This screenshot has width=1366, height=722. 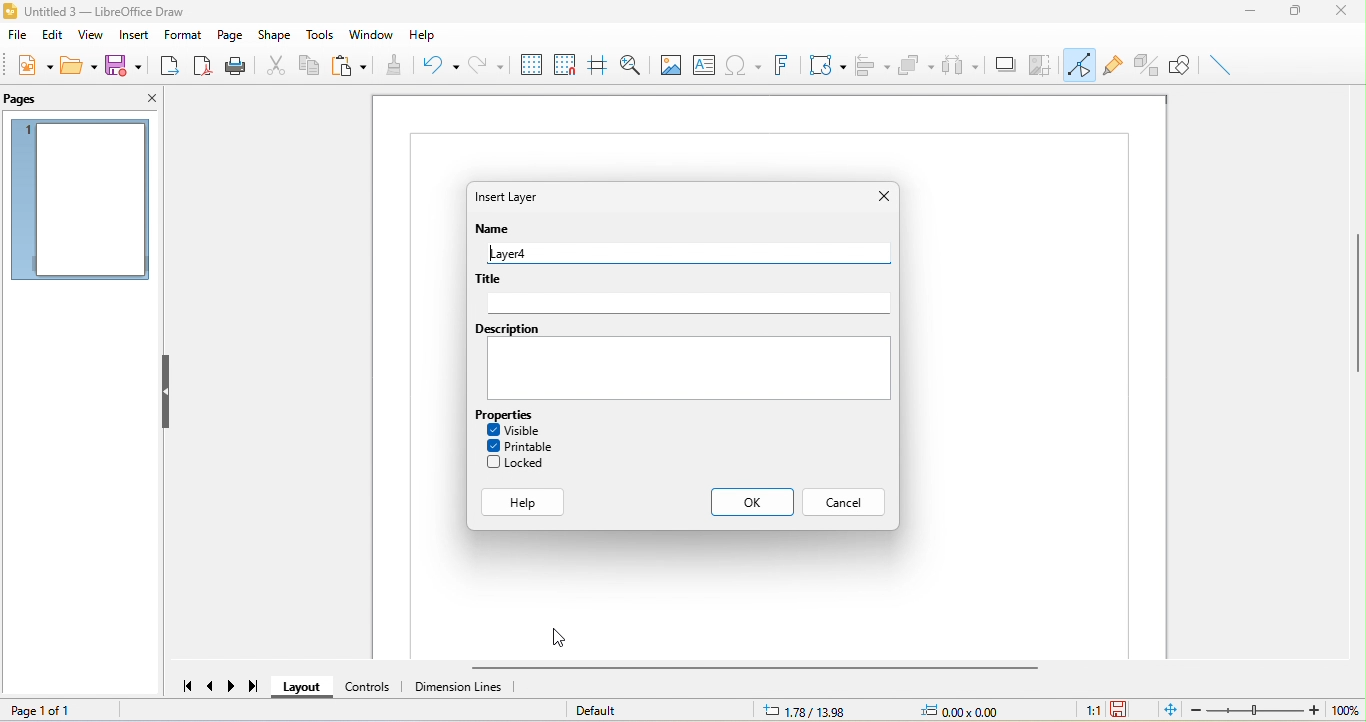 I want to click on page 1 of 1, so click(x=56, y=709).